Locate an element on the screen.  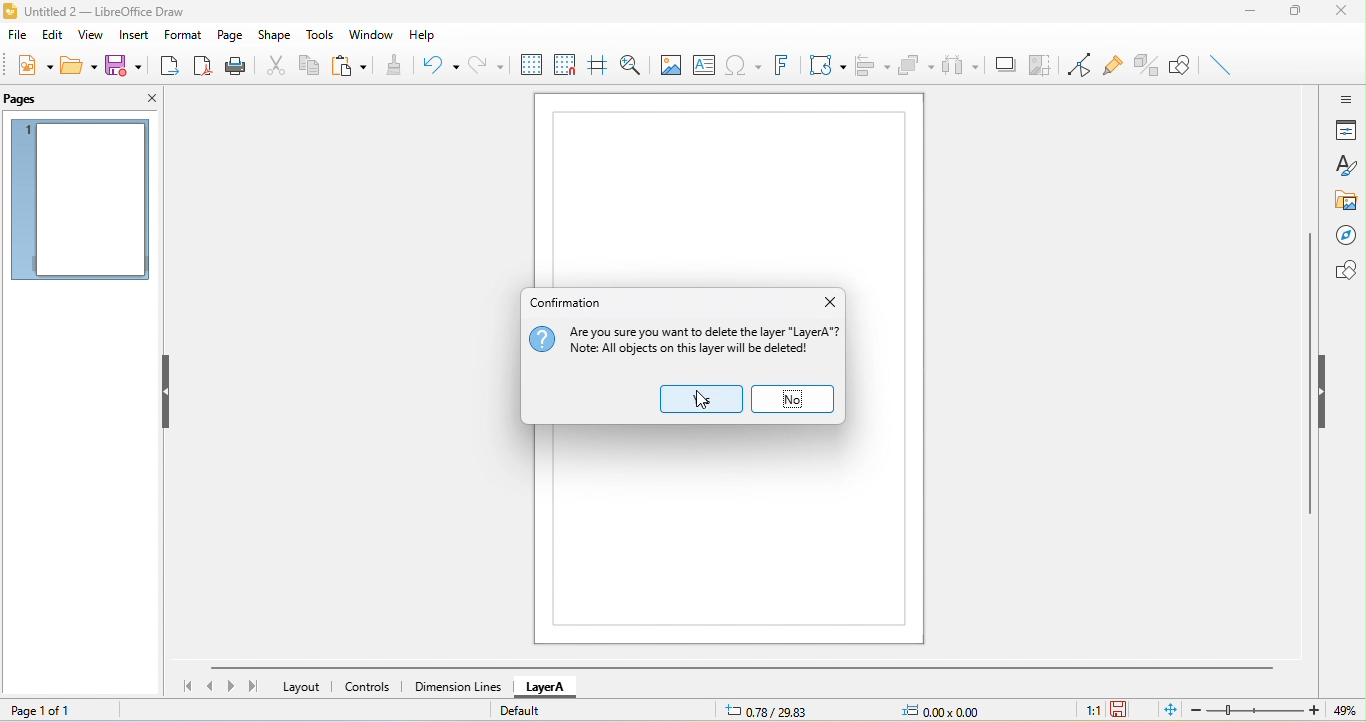
toggle extrusion is located at coordinates (1227, 64).